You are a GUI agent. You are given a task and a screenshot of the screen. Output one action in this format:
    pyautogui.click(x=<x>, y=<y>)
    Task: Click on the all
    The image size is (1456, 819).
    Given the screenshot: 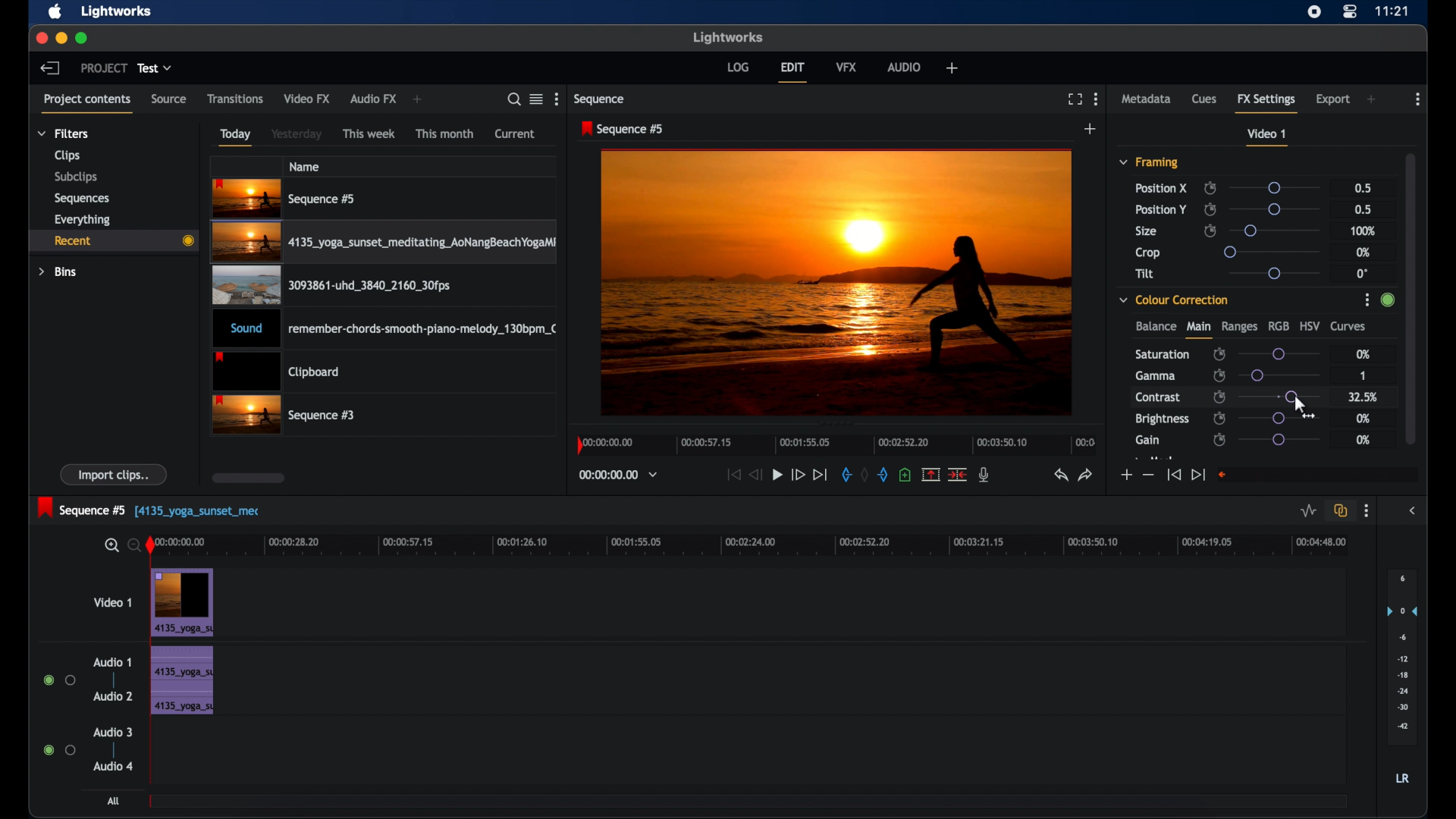 What is the action you would take?
    pyautogui.click(x=115, y=801)
    